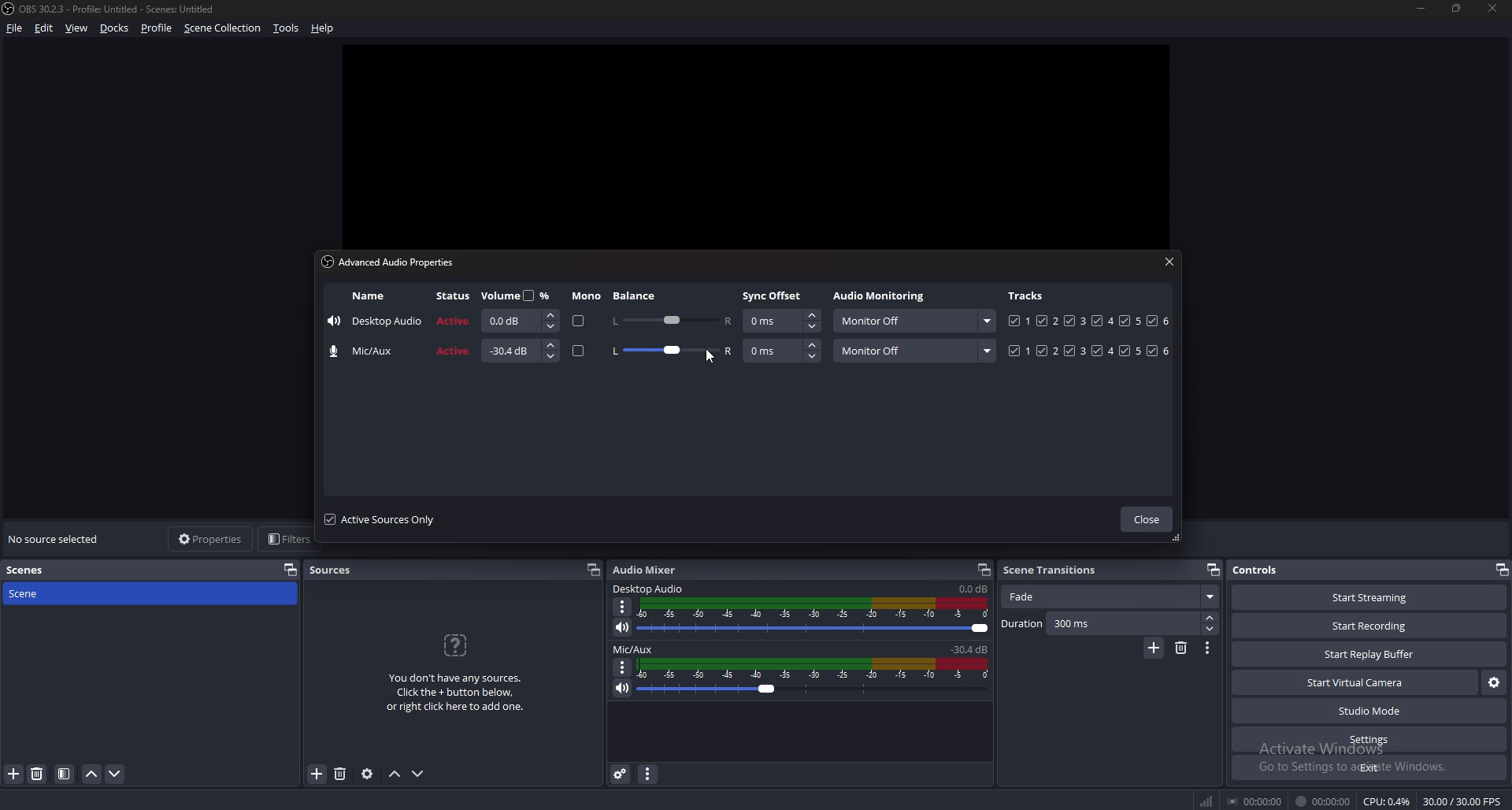 The image size is (1512, 810). What do you see at coordinates (580, 351) in the screenshot?
I see `mono` at bounding box center [580, 351].